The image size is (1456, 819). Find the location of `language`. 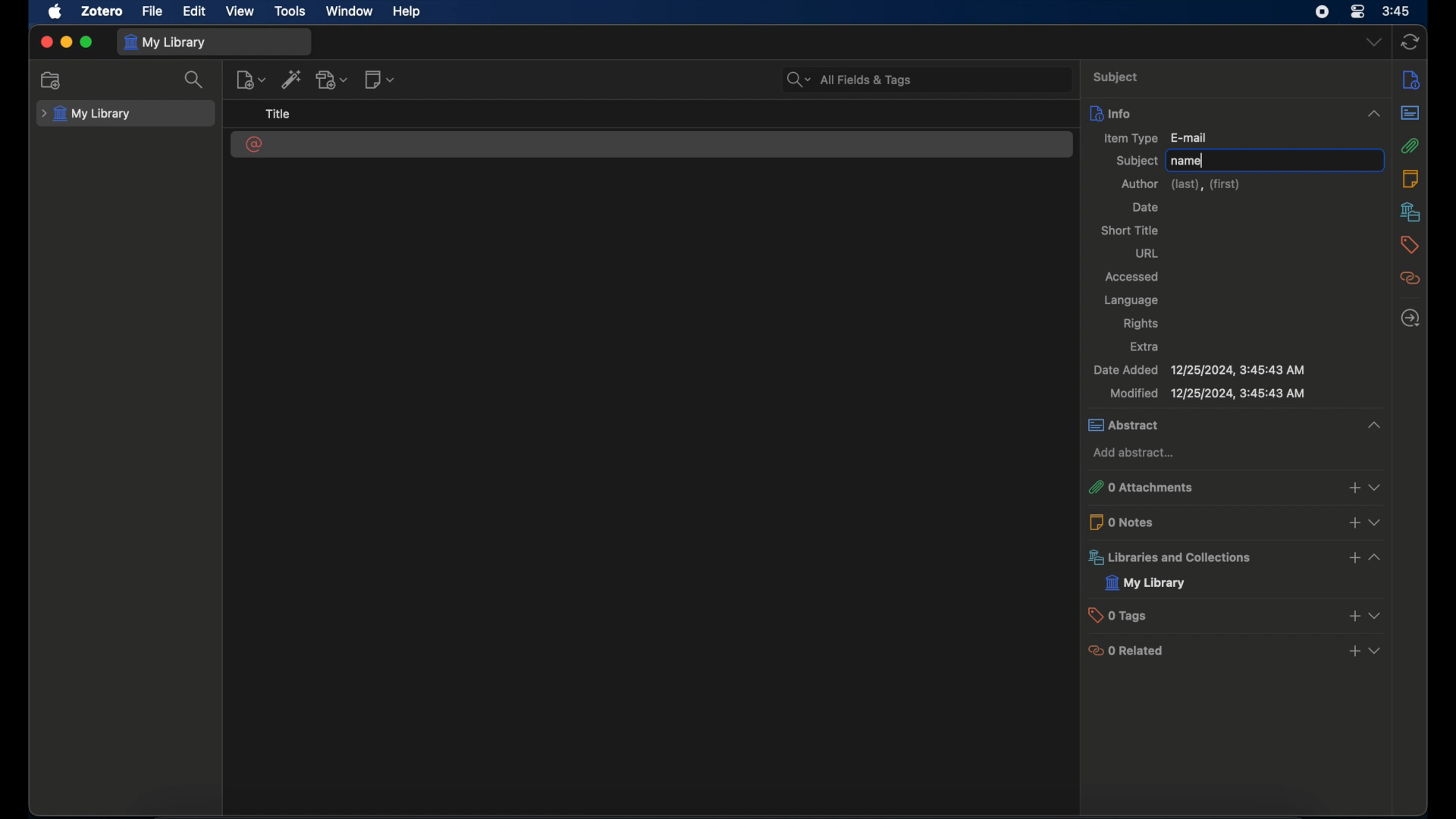

language is located at coordinates (1130, 300).